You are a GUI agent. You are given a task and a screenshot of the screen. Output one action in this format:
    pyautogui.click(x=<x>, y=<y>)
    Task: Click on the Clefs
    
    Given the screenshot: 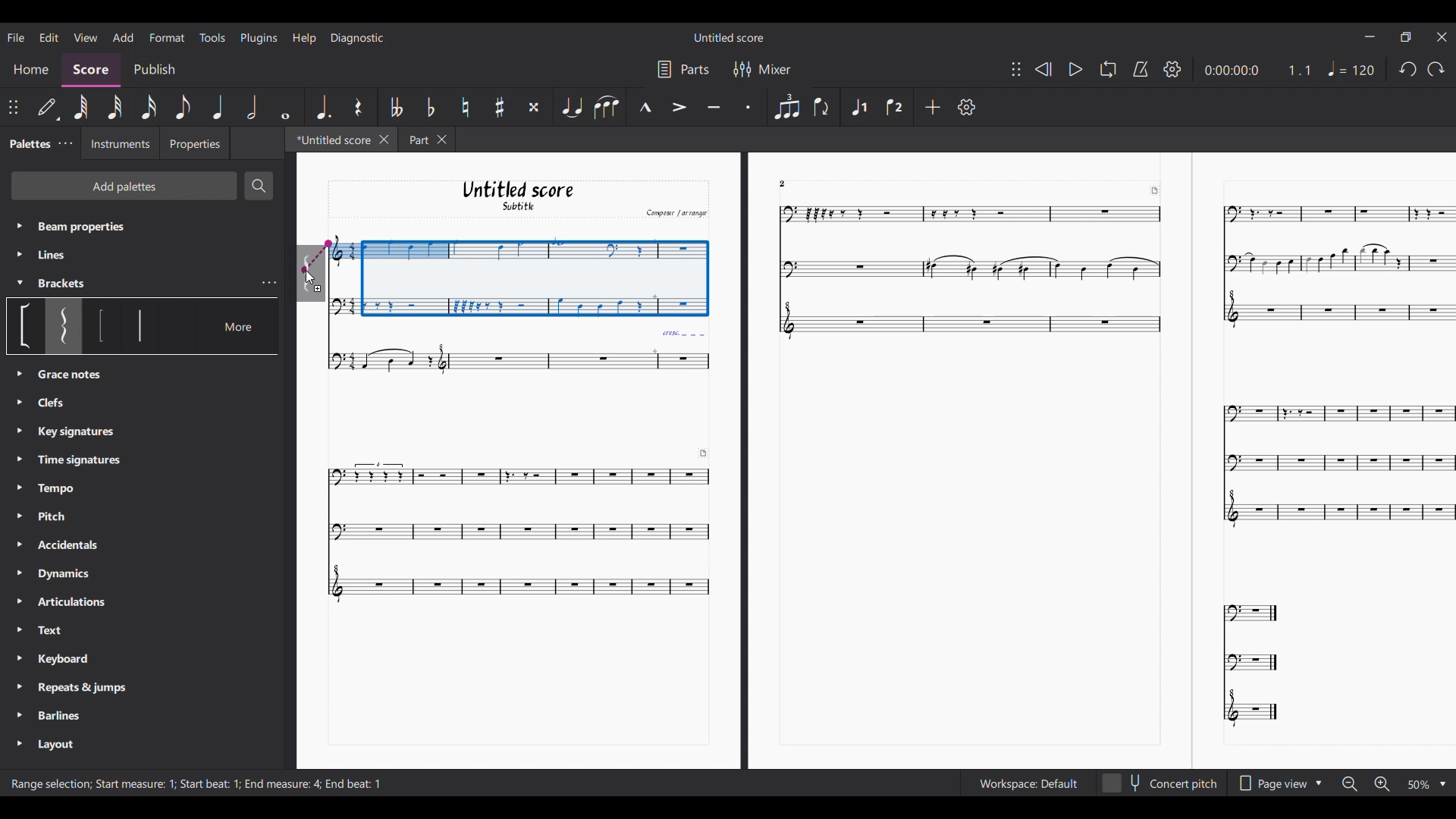 What is the action you would take?
    pyautogui.click(x=68, y=375)
    